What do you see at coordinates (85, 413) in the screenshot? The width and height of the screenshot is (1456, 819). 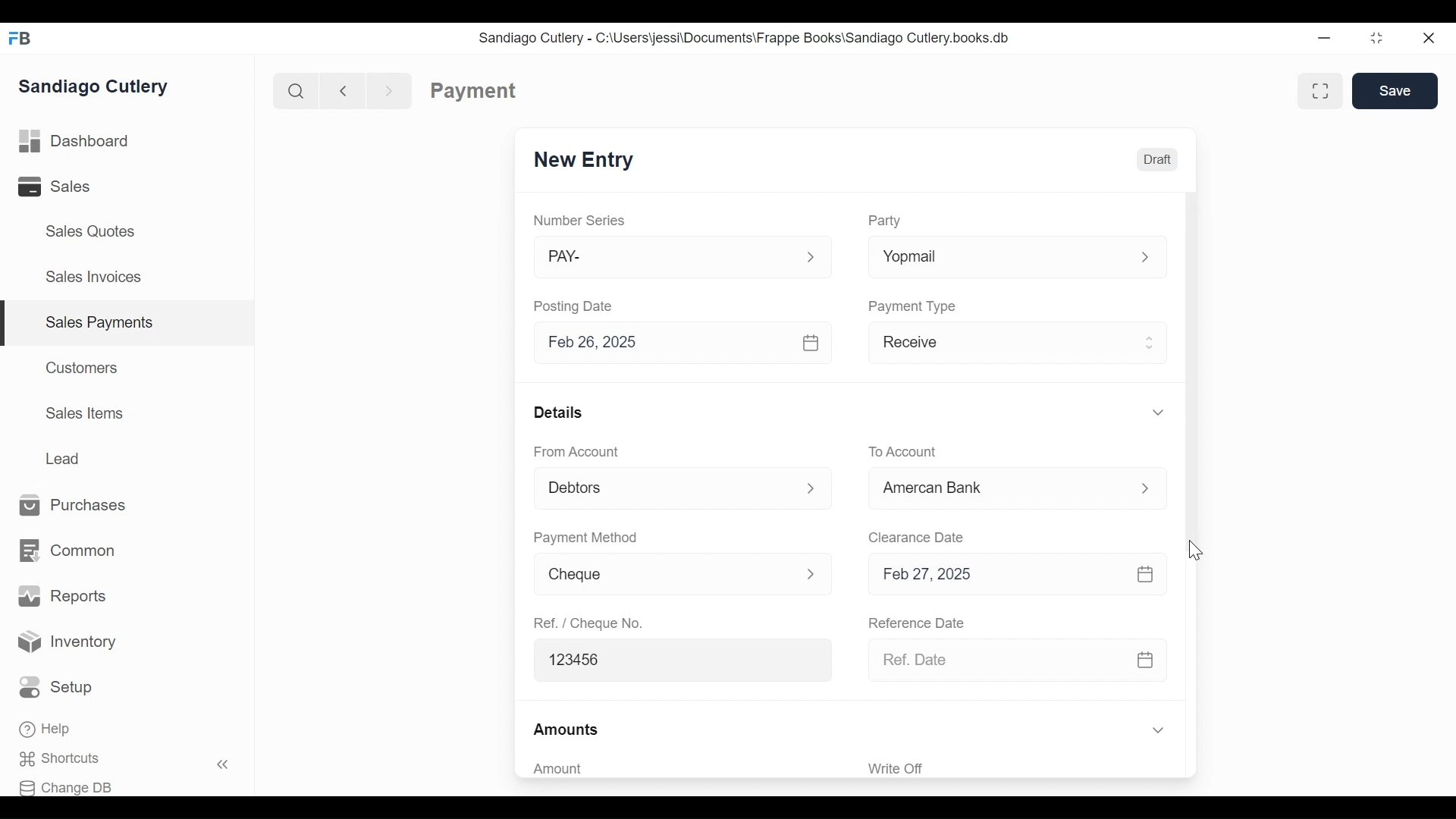 I see `Sales Items` at bounding box center [85, 413].